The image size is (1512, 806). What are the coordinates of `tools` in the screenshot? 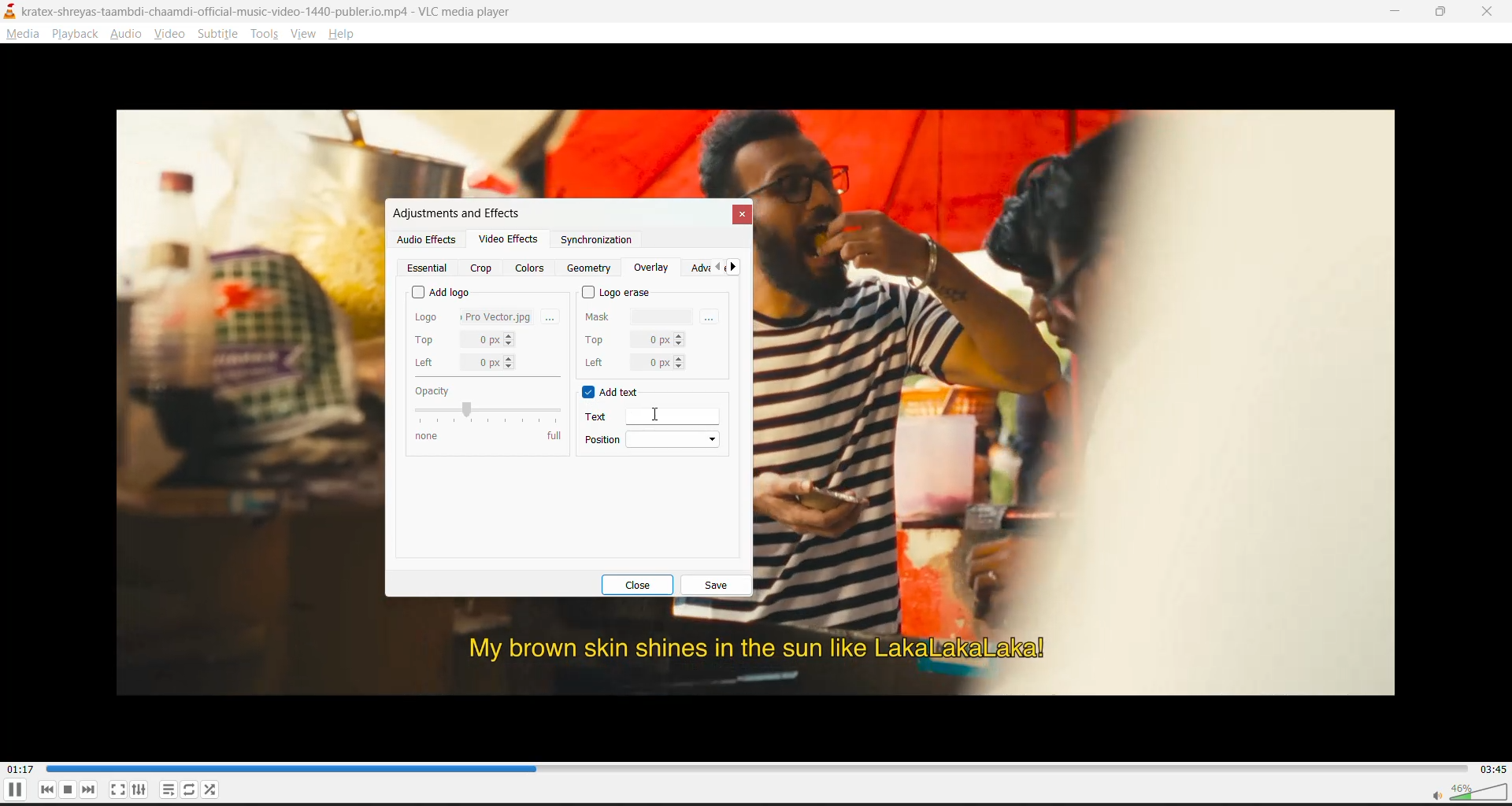 It's located at (262, 35).